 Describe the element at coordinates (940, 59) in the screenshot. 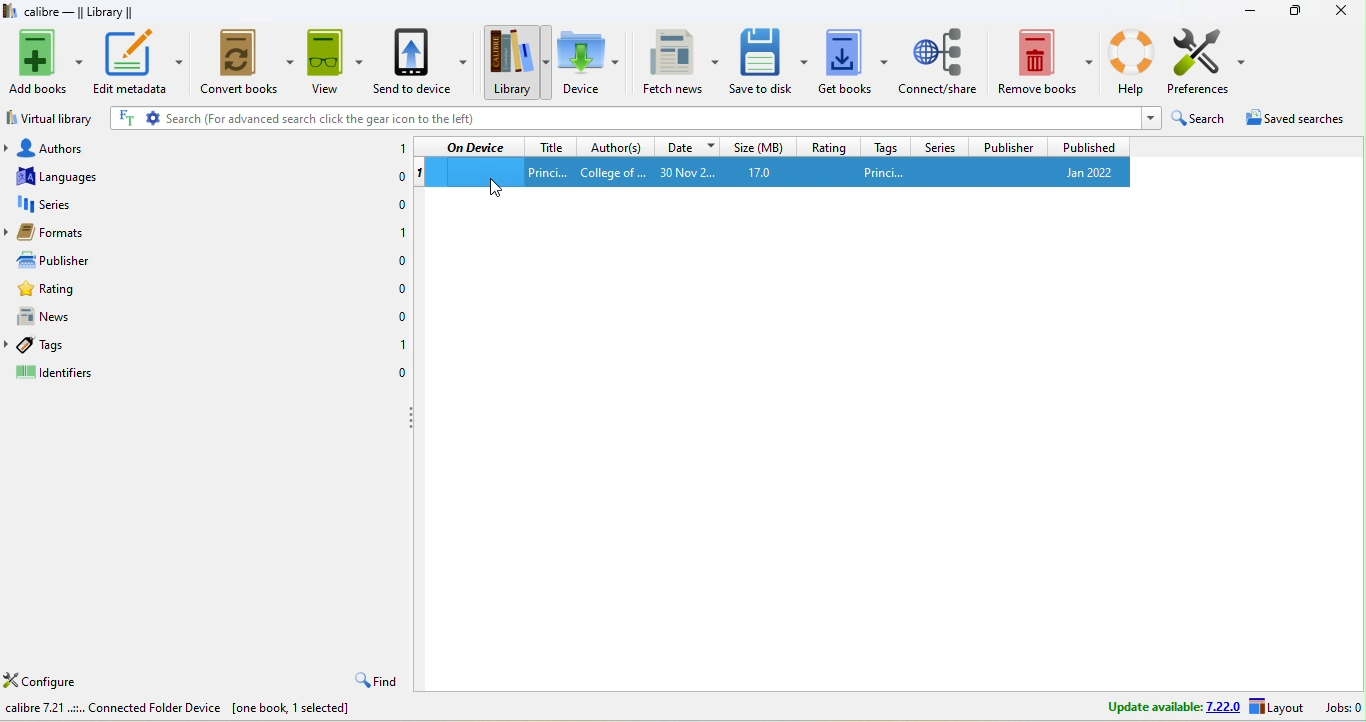

I see `connect/share` at that location.